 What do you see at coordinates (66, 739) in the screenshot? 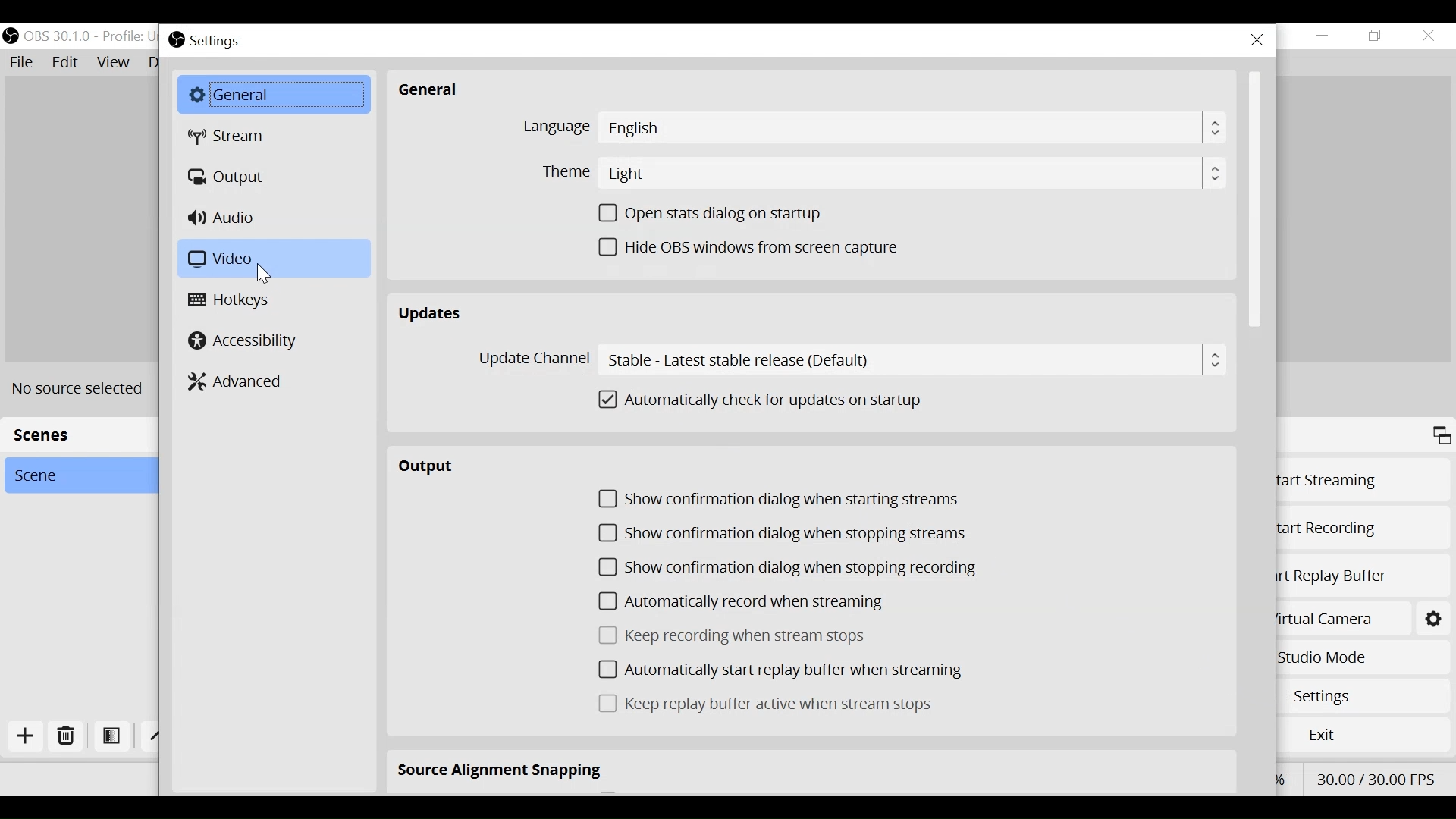
I see `Delete` at bounding box center [66, 739].